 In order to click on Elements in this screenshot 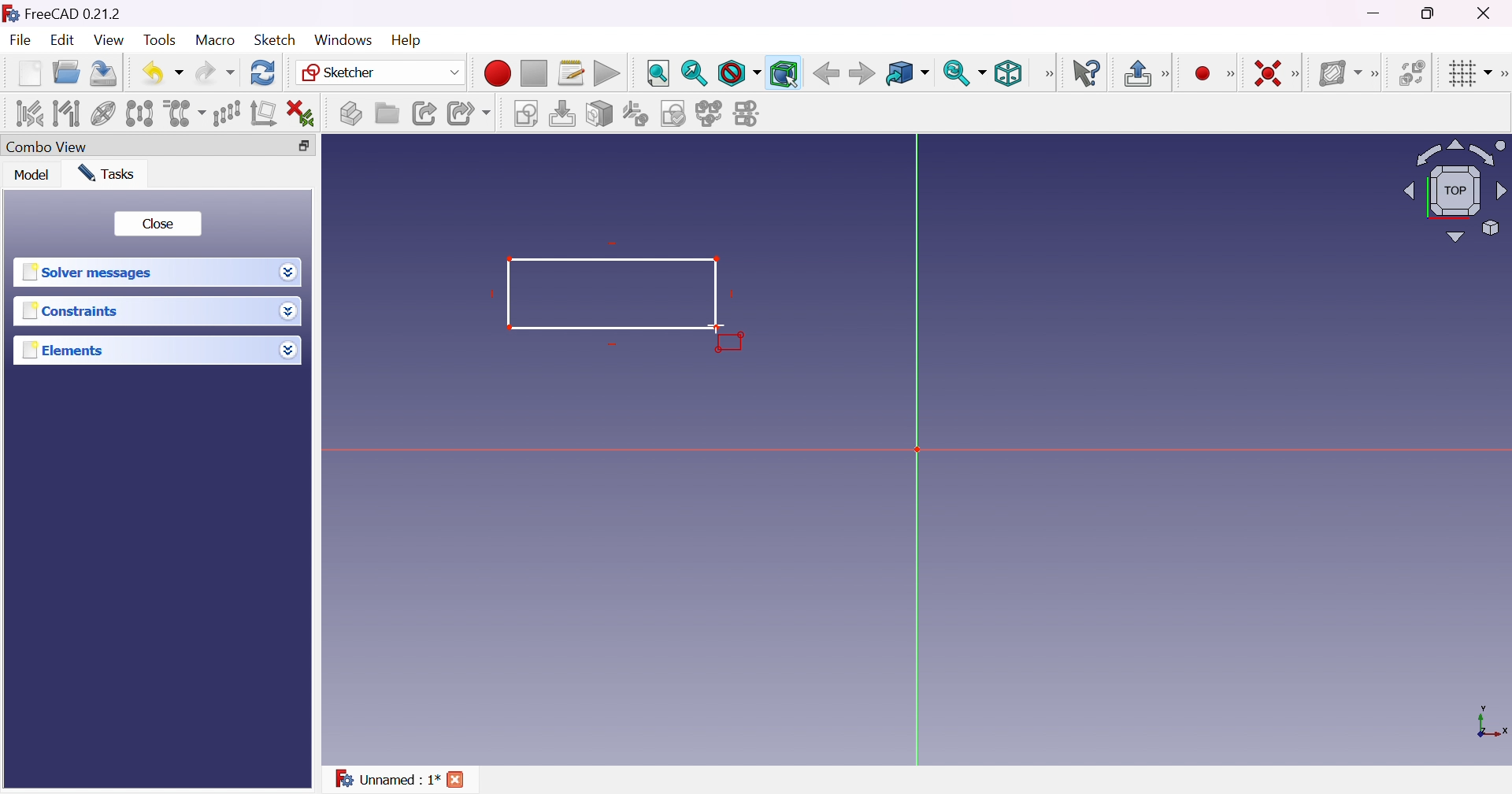, I will do `click(63, 351)`.